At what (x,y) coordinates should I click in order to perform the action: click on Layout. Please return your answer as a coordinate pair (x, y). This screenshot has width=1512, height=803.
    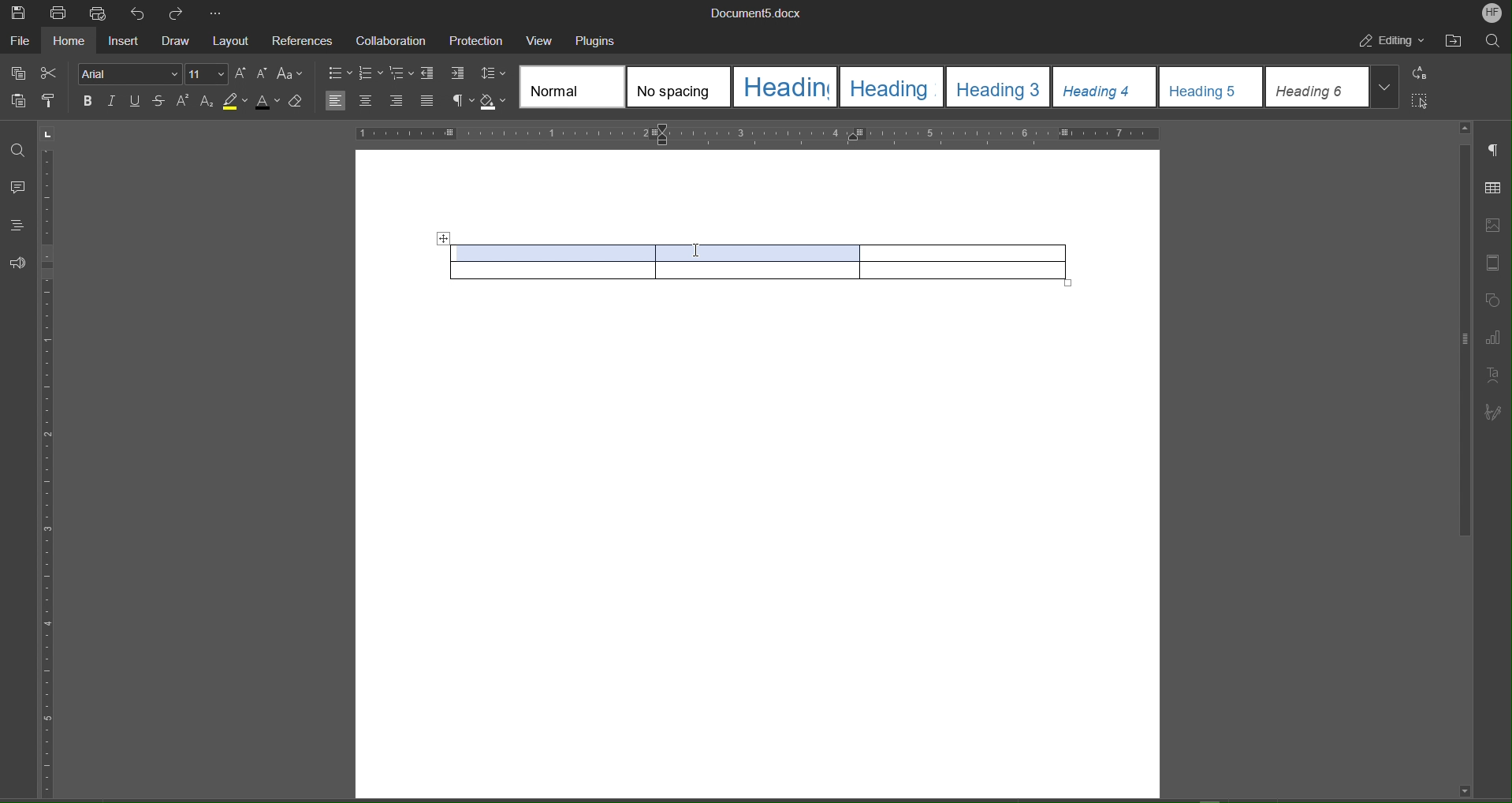
    Looking at the image, I should click on (234, 43).